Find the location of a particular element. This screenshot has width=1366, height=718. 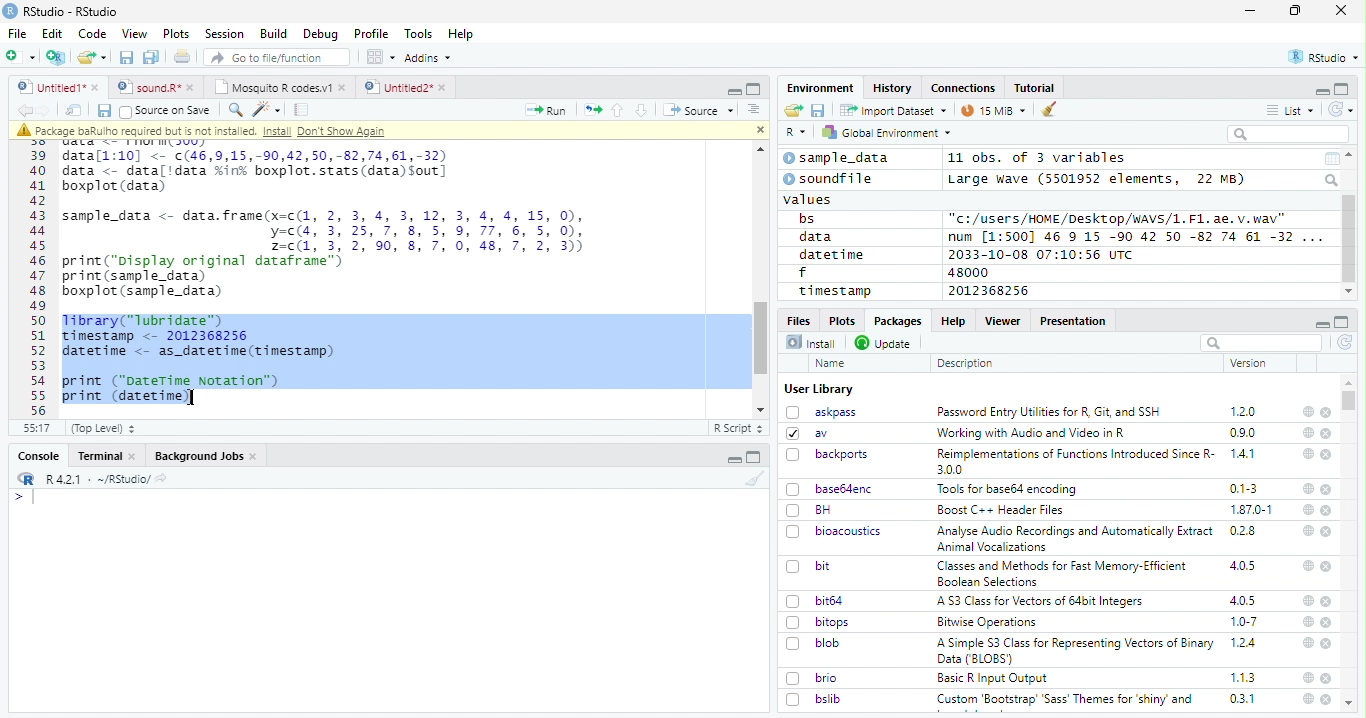

RStudio - RStudio is located at coordinates (71, 11).